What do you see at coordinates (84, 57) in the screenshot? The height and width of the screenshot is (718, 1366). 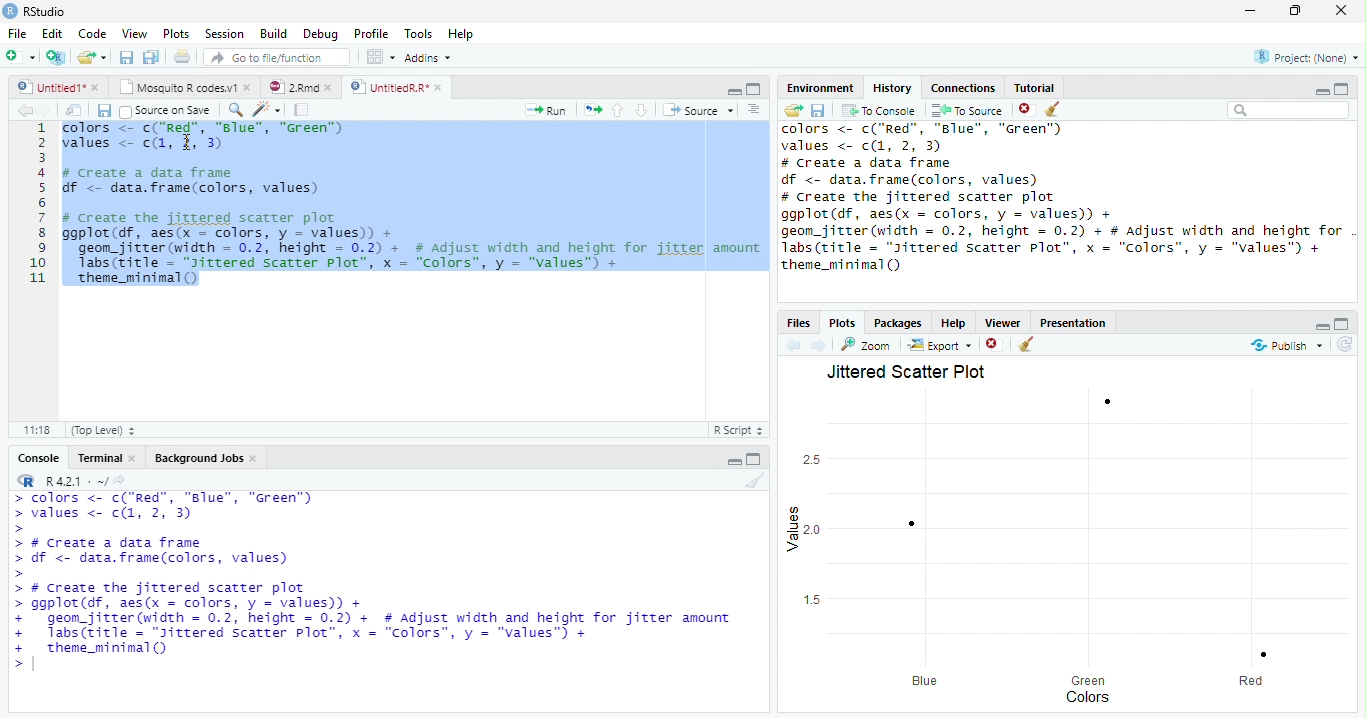 I see `Open an existing file` at bounding box center [84, 57].